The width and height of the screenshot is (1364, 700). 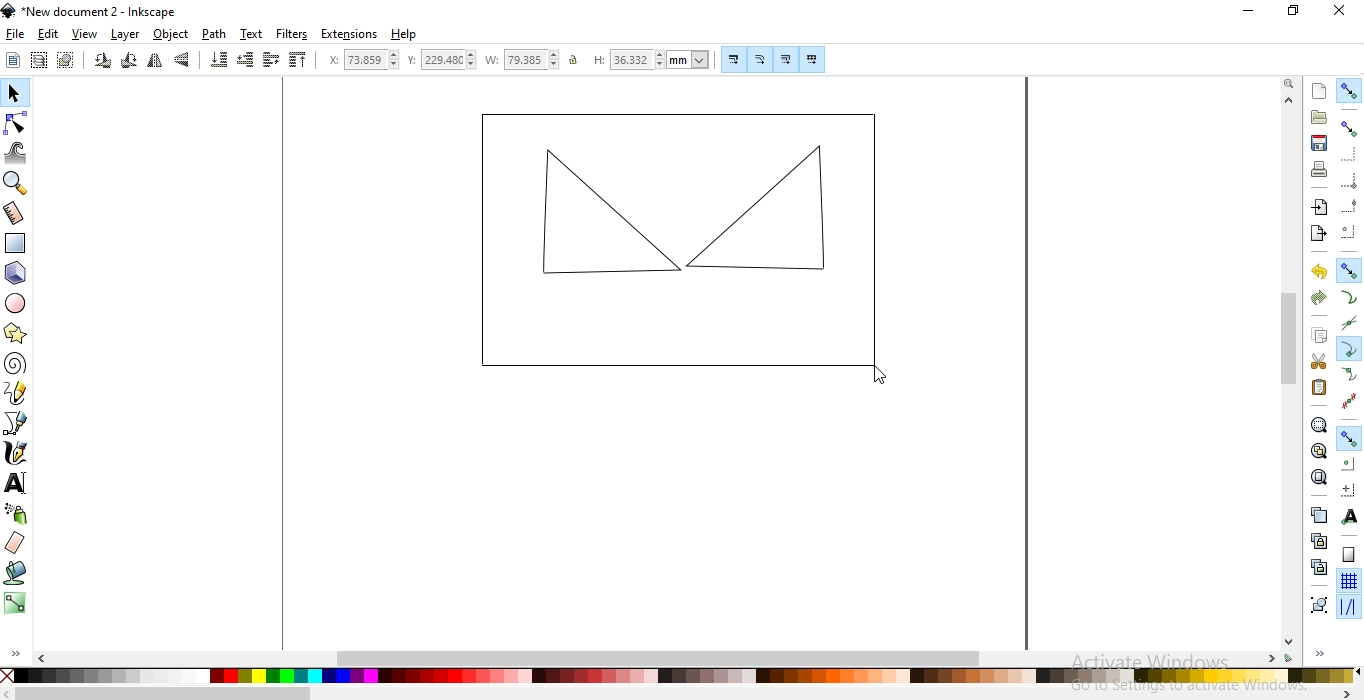 I want to click on snap to page border, so click(x=1349, y=555).